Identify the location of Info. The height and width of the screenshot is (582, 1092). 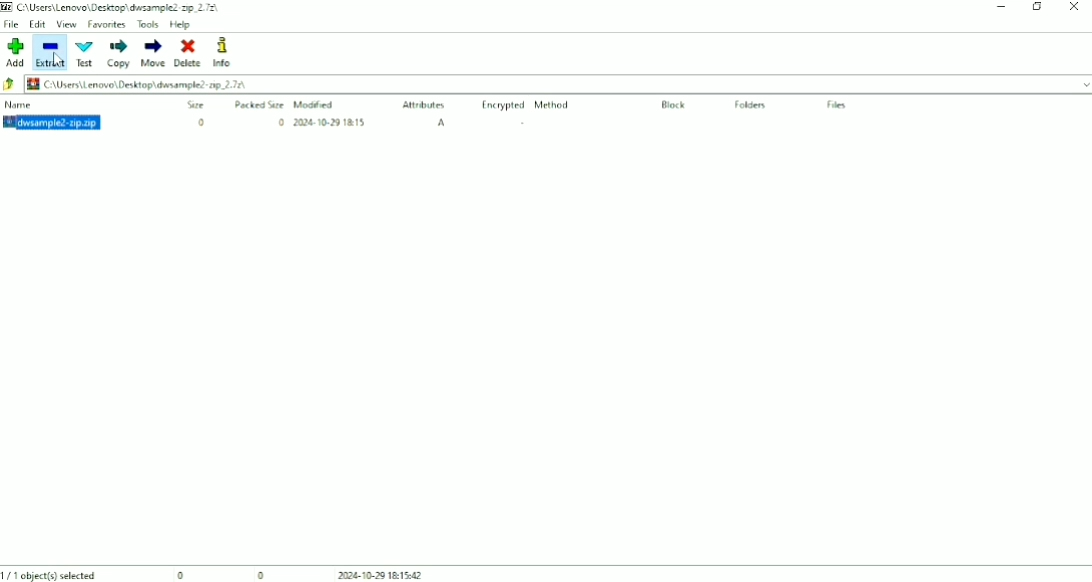
(231, 53).